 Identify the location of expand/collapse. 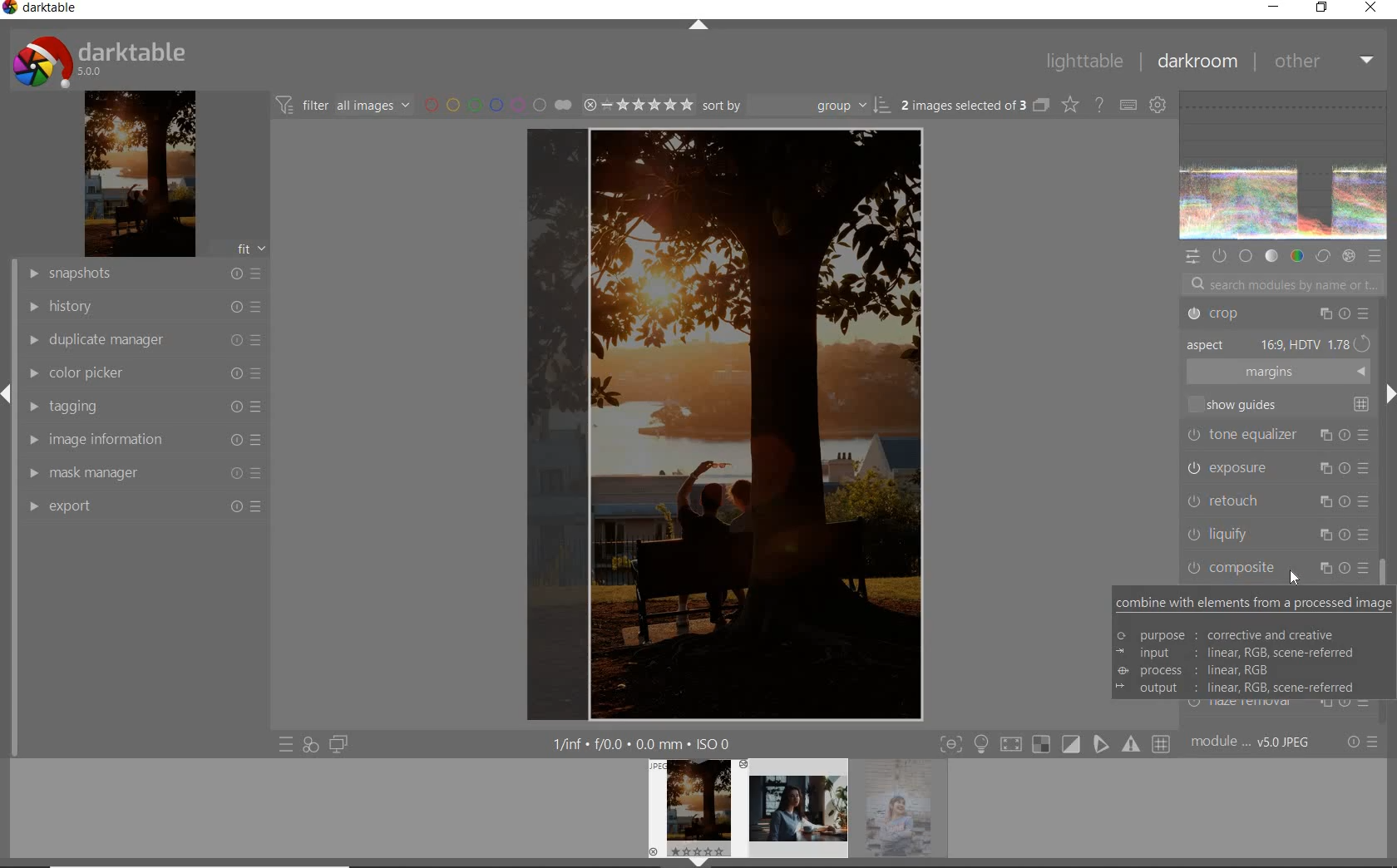
(698, 28).